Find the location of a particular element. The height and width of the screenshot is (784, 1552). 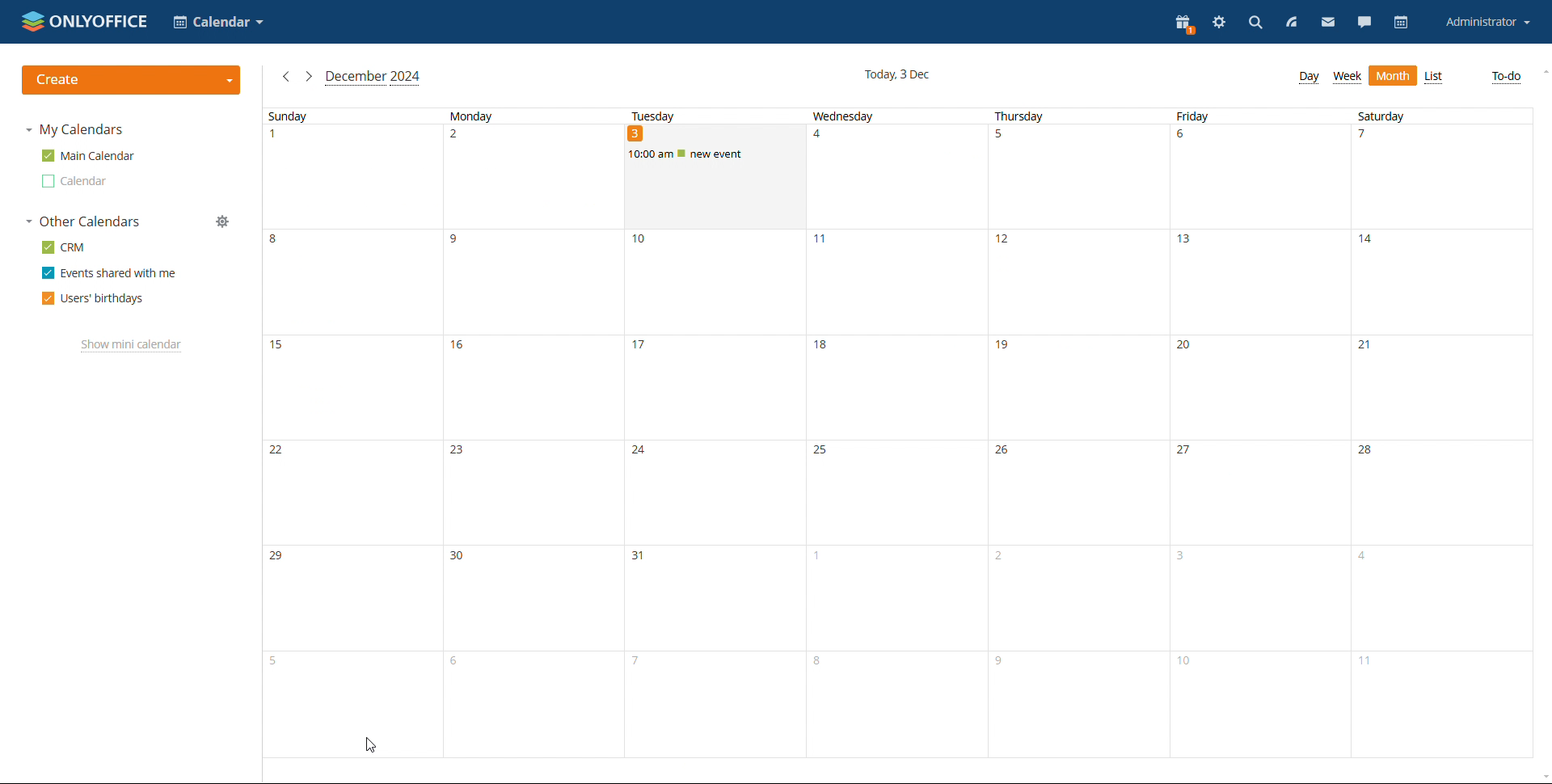

chat is located at coordinates (1364, 22).